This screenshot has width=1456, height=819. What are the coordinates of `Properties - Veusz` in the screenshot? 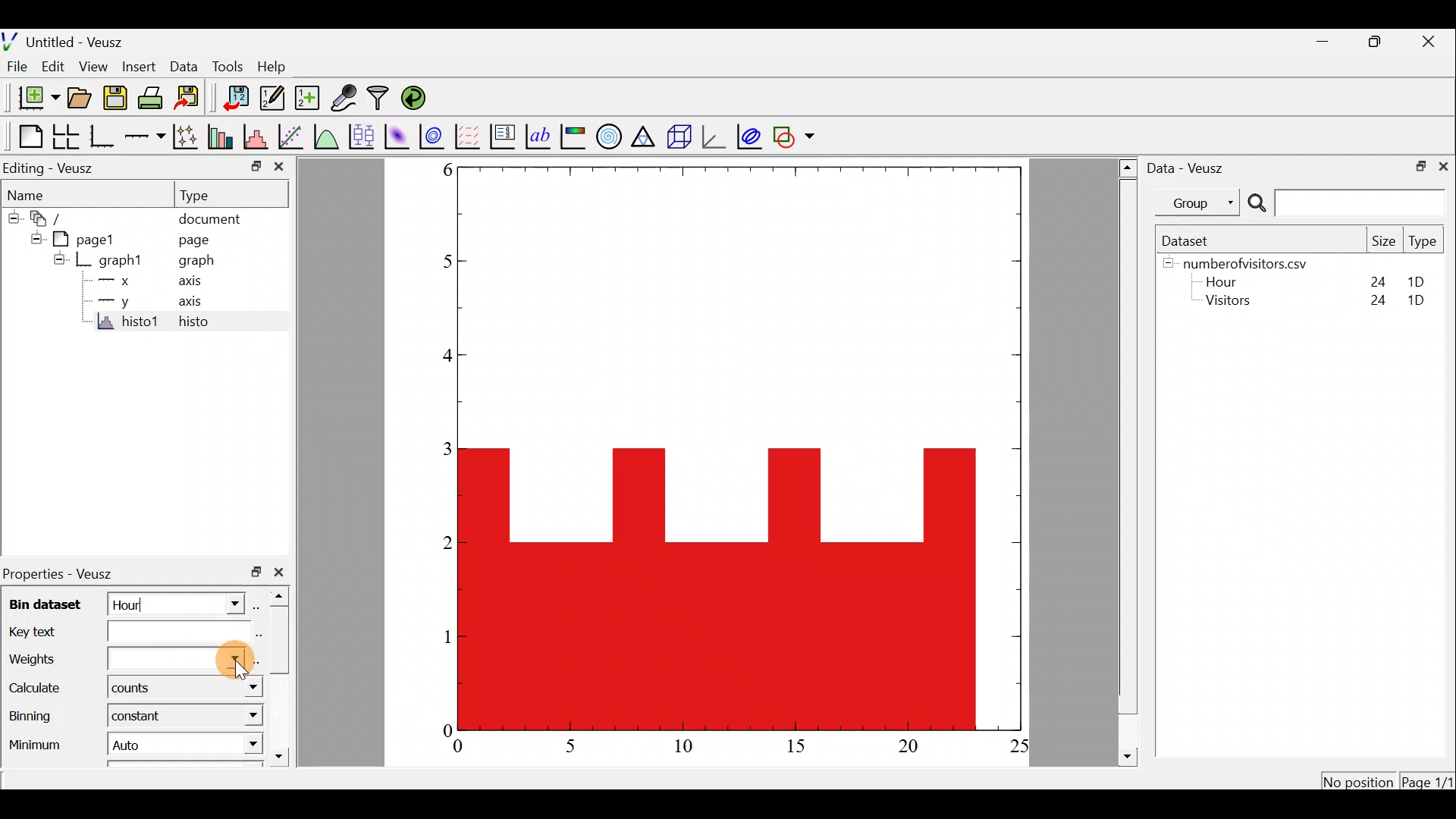 It's located at (60, 575).